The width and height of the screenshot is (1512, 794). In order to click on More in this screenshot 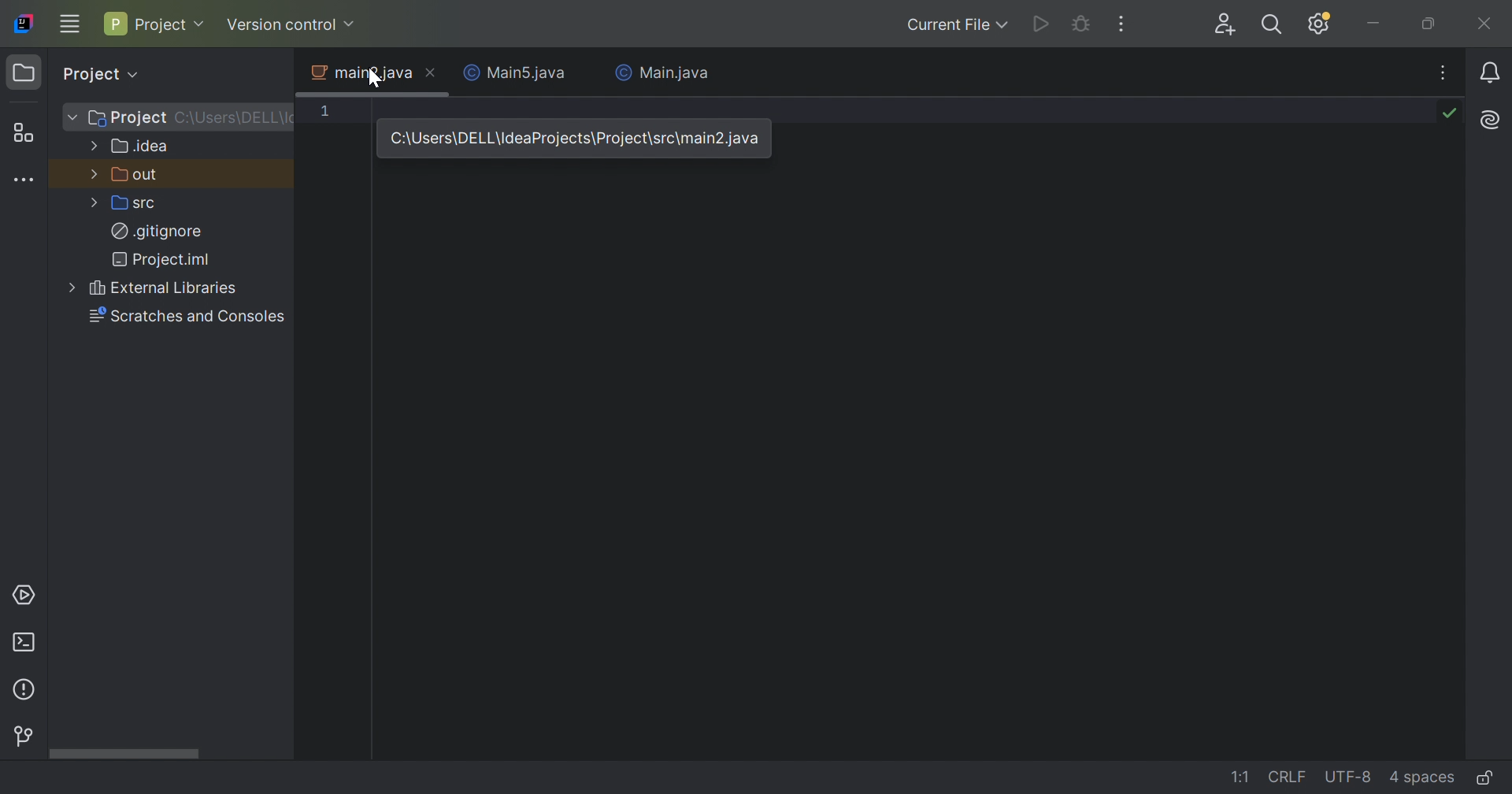, I will do `click(95, 145)`.